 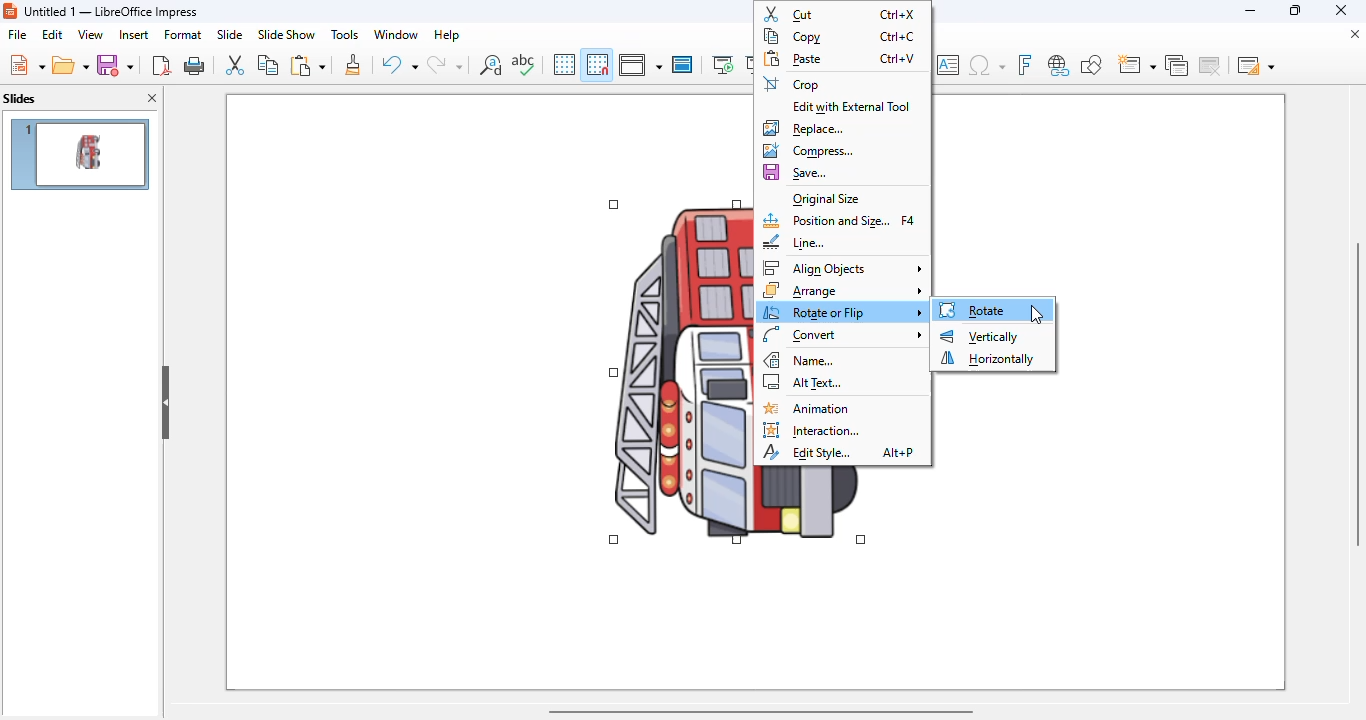 What do you see at coordinates (843, 14) in the screenshot?
I see `cut` at bounding box center [843, 14].